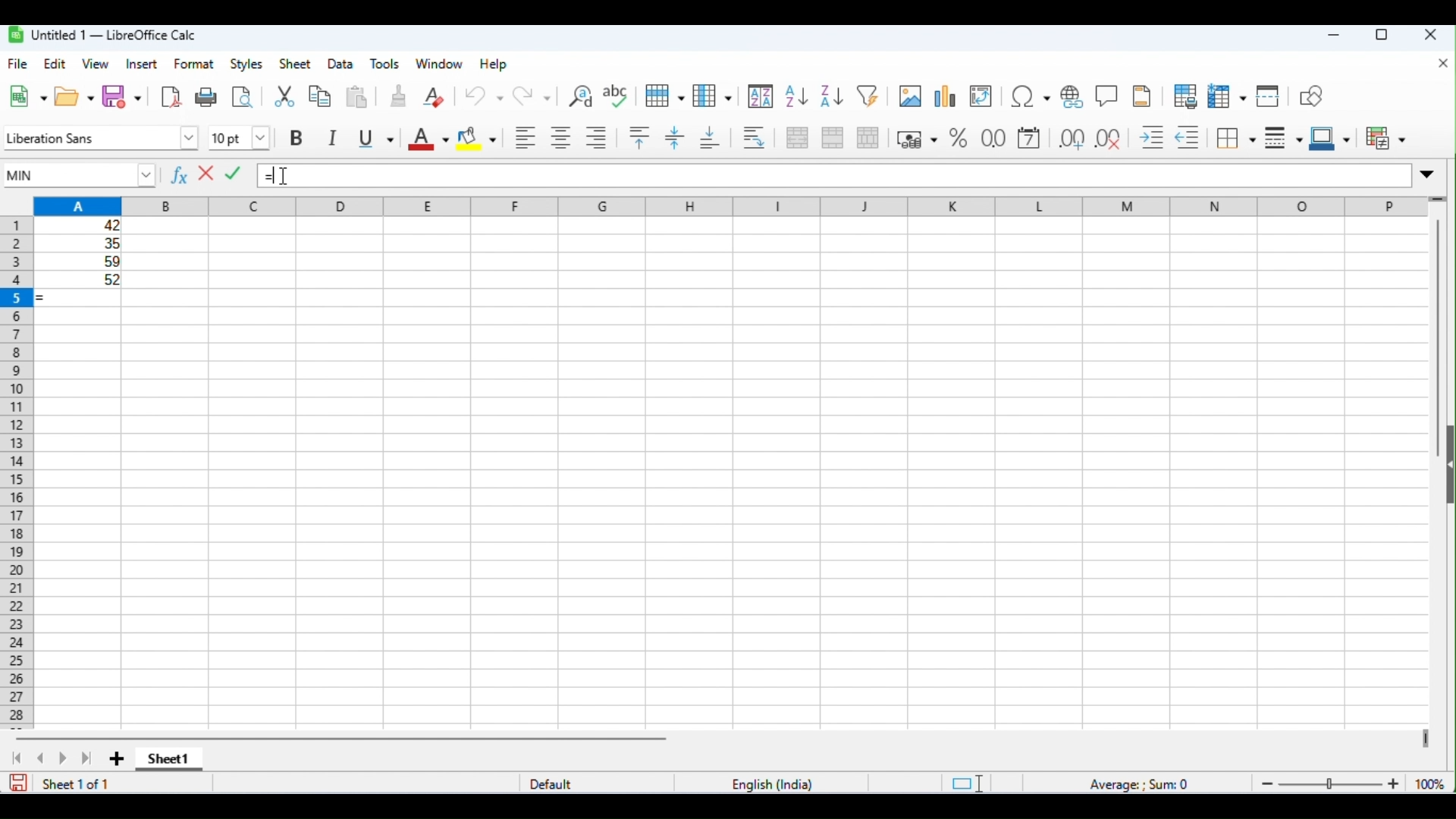 The height and width of the screenshot is (819, 1456). Describe the element at coordinates (27, 97) in the screenshot. I see `new` at that location.